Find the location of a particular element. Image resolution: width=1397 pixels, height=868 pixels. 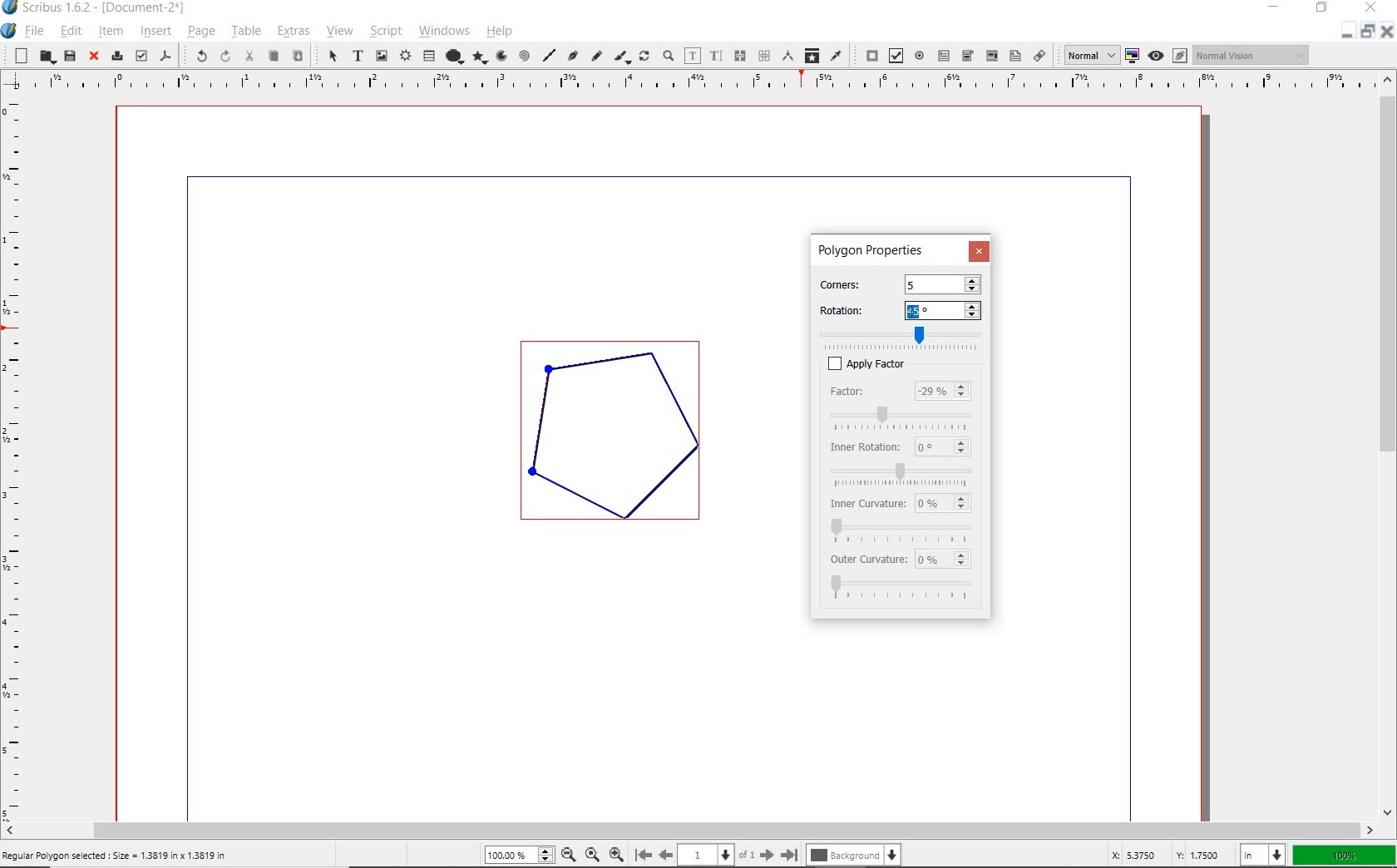

inner rotation slider is located at coordinates (902, 471).